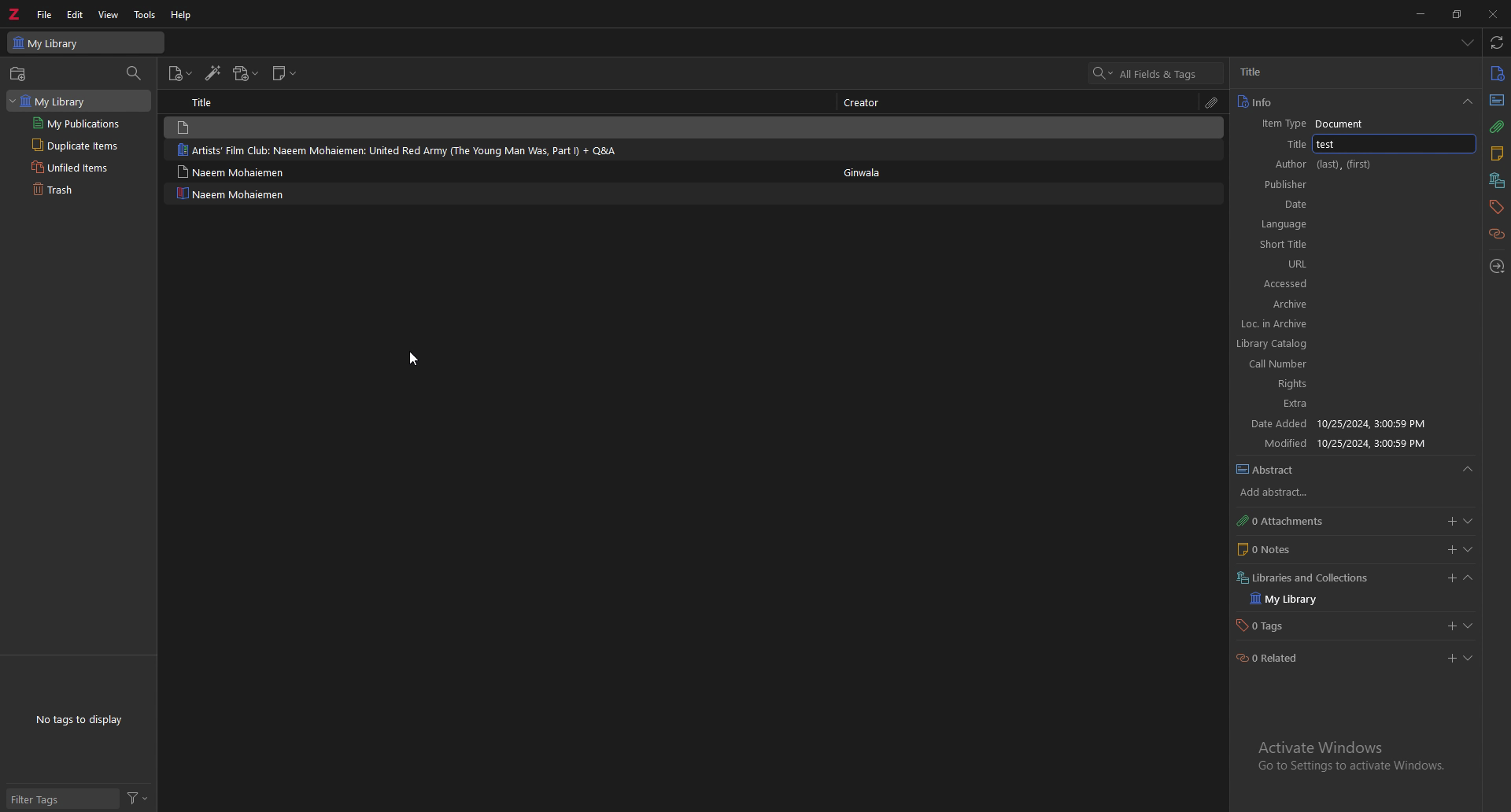 The width and height of the screenshot is (1511, 812). I want to click on minimize, so click(1422, 13).